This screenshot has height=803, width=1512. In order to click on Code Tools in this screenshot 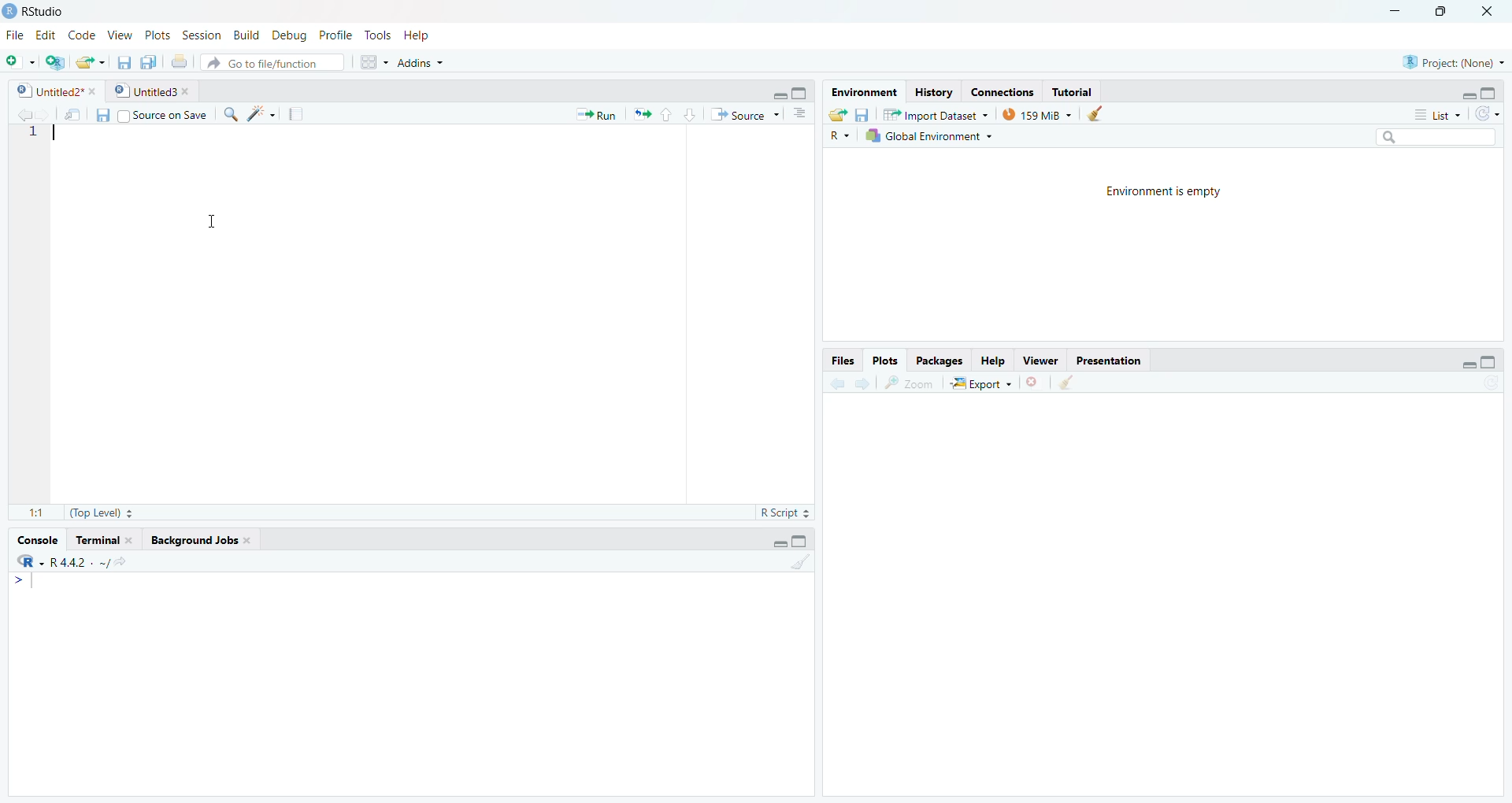, I will do `click(261, 115)`.